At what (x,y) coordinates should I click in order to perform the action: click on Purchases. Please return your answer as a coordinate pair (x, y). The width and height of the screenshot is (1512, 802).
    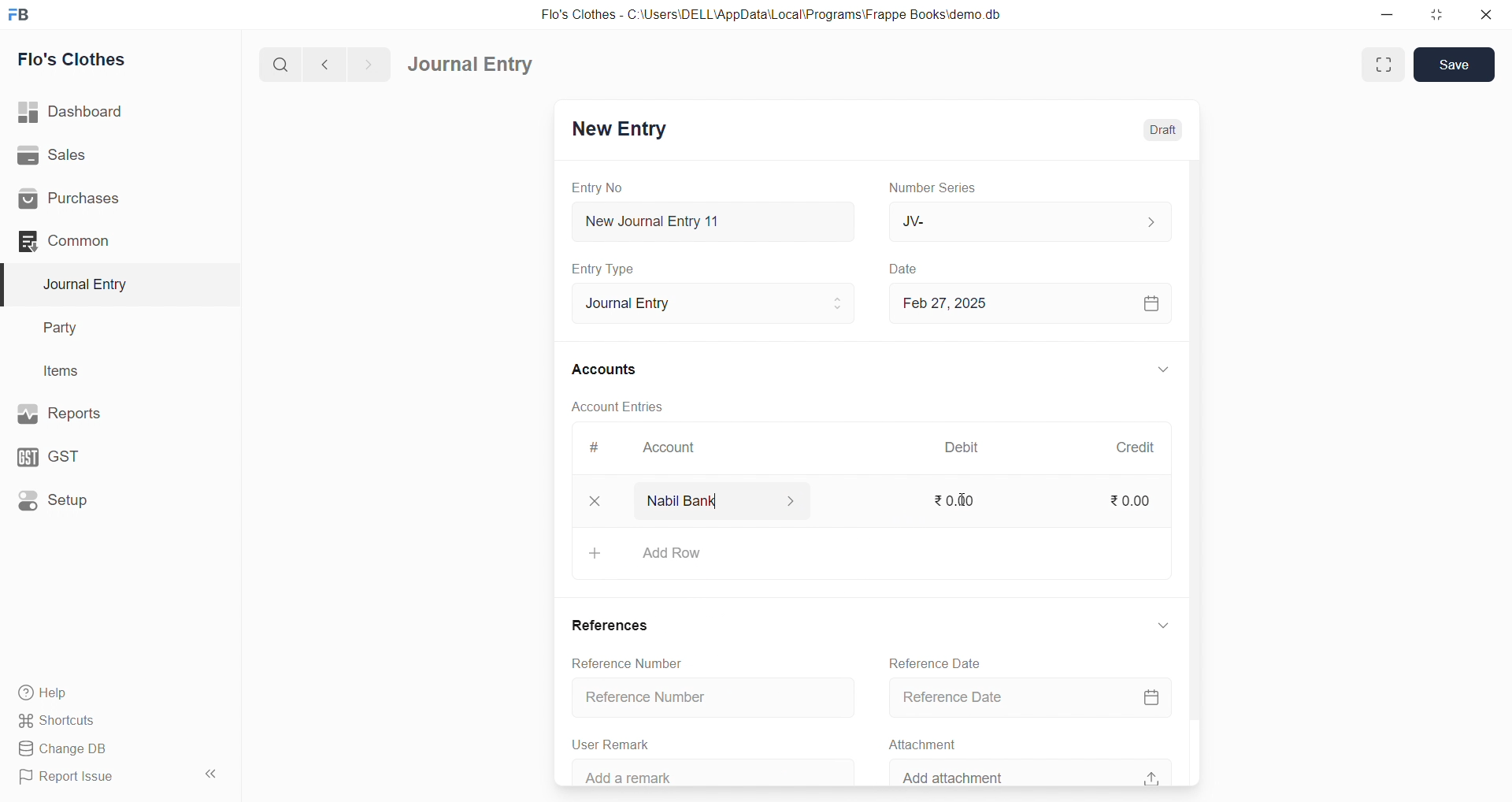
    Looking at the image, I should click on (95, 200).